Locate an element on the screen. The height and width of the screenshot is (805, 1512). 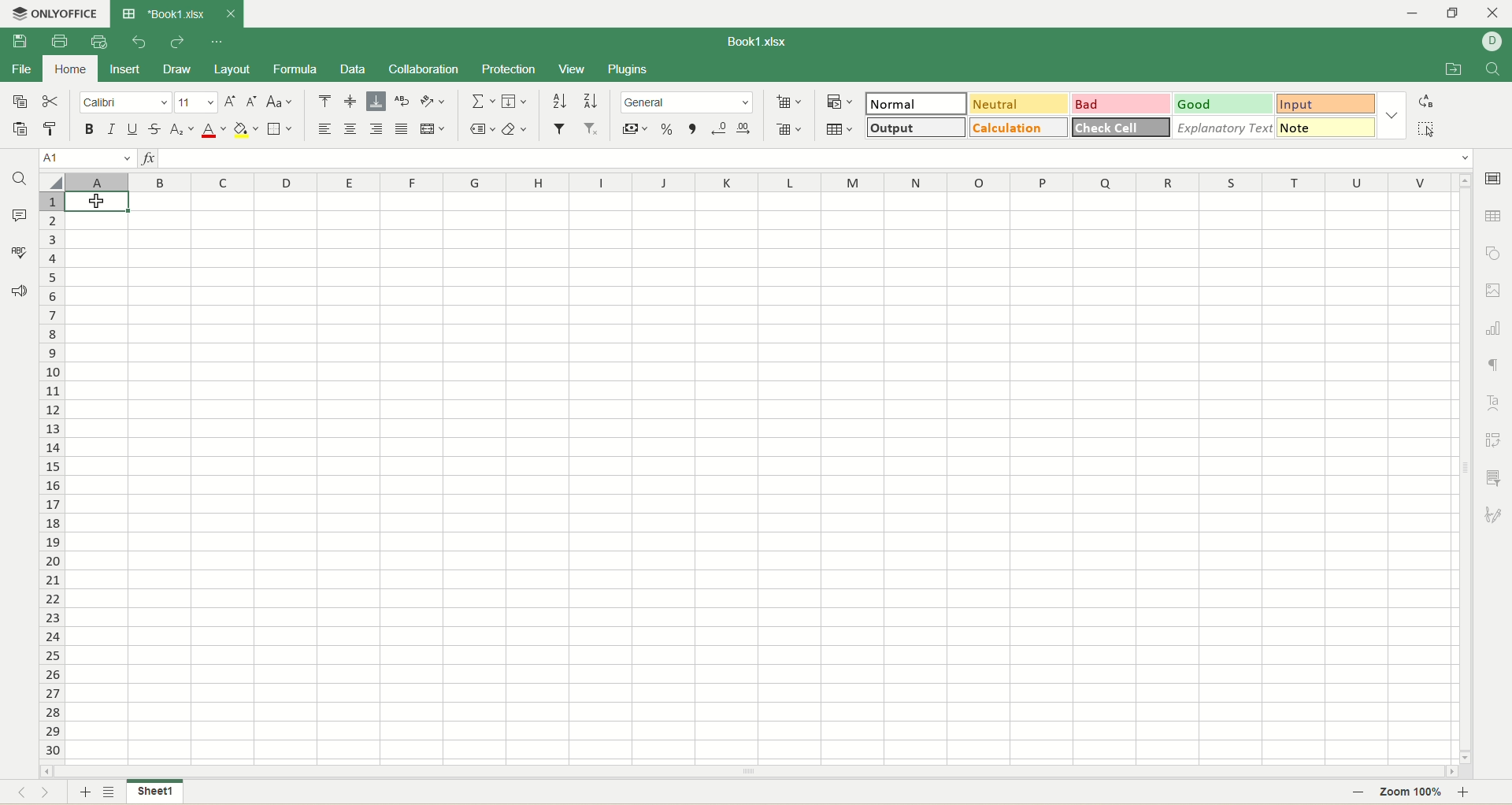
orientation is located at coordinates (431, 101).